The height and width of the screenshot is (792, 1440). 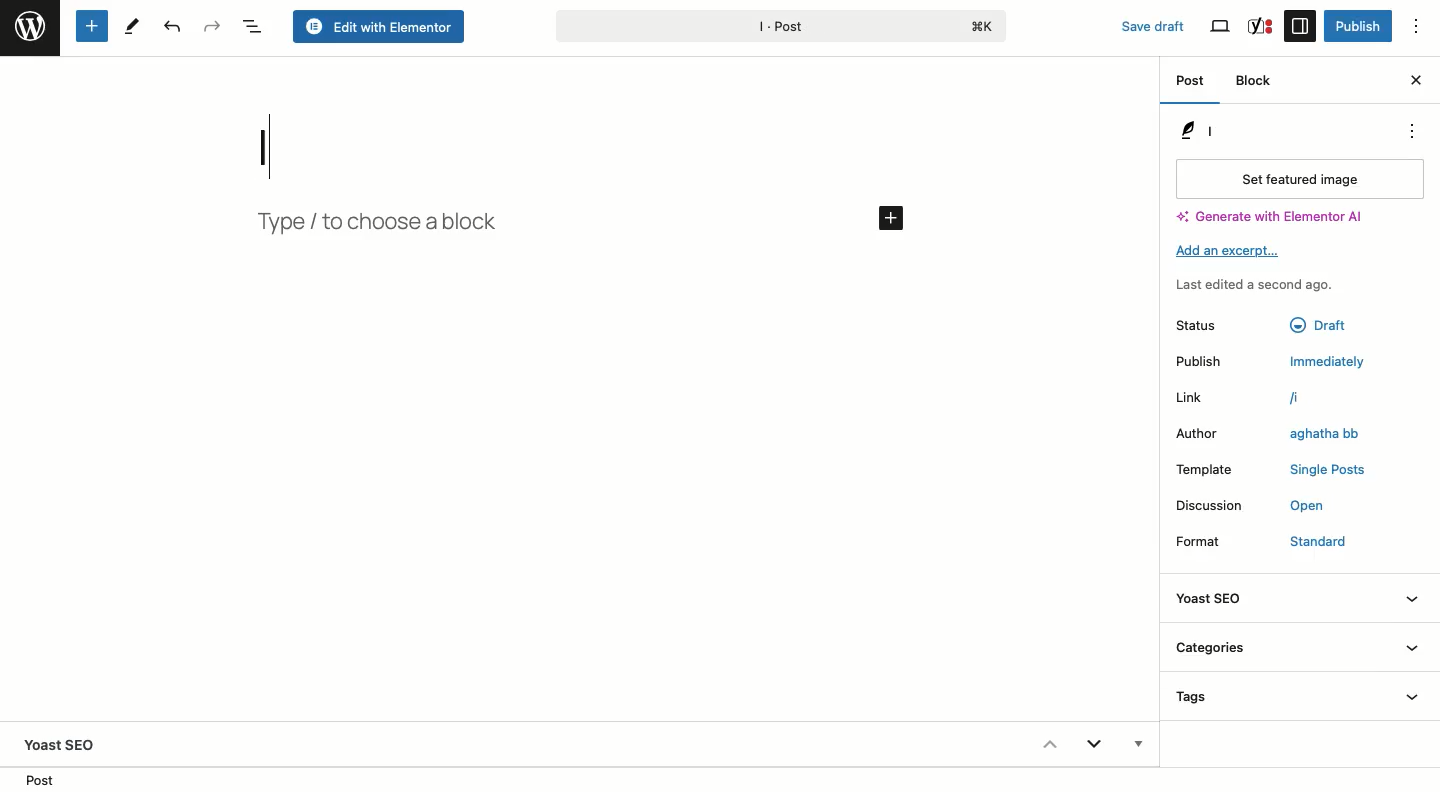 What do you see at coordinates (69, 744) in the screenshot?
I see `Yoast SEO` at bounding box center [69, 744].